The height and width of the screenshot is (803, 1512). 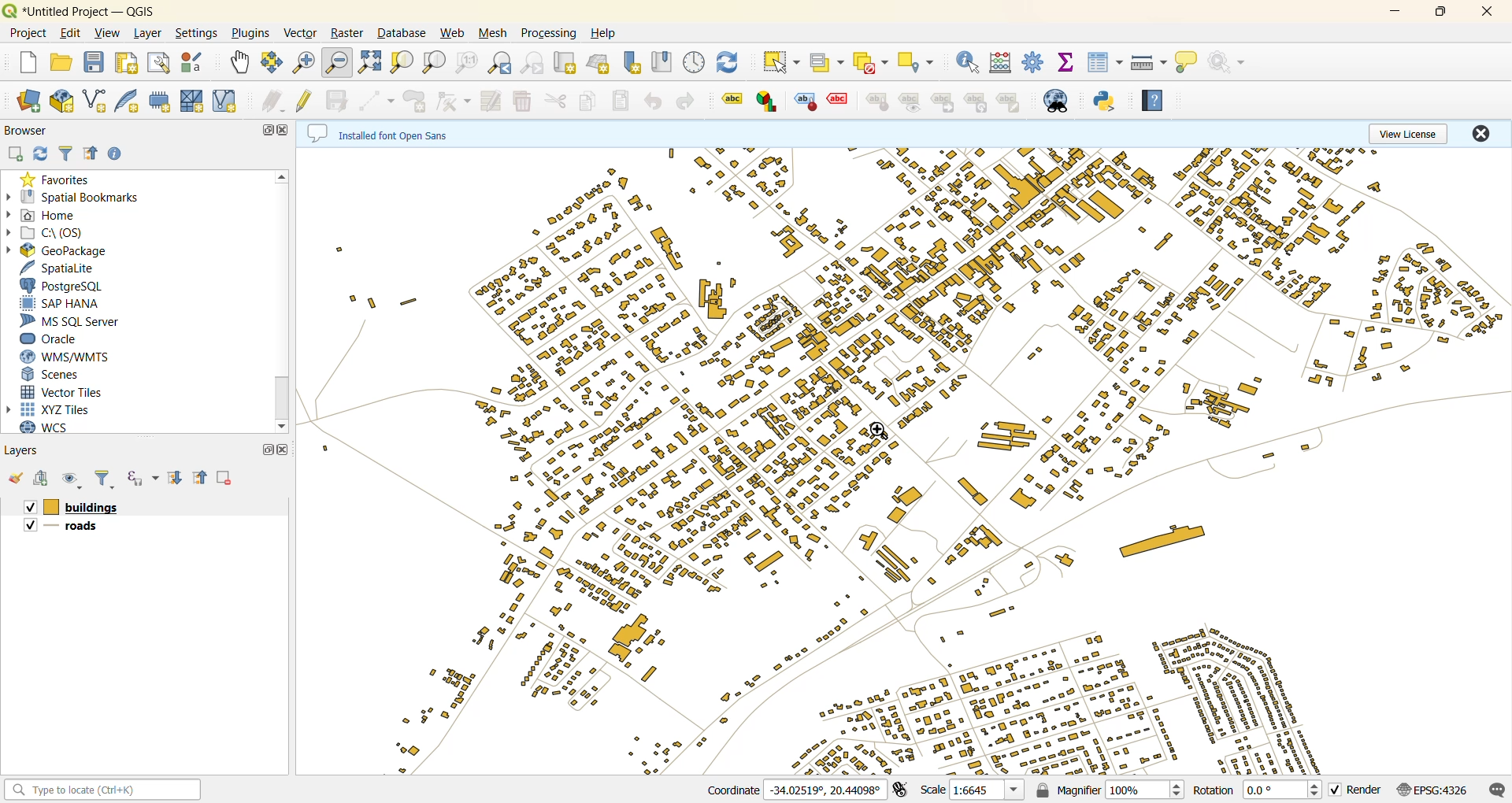 I want to click on geopackage, so click(x=60, y=250).